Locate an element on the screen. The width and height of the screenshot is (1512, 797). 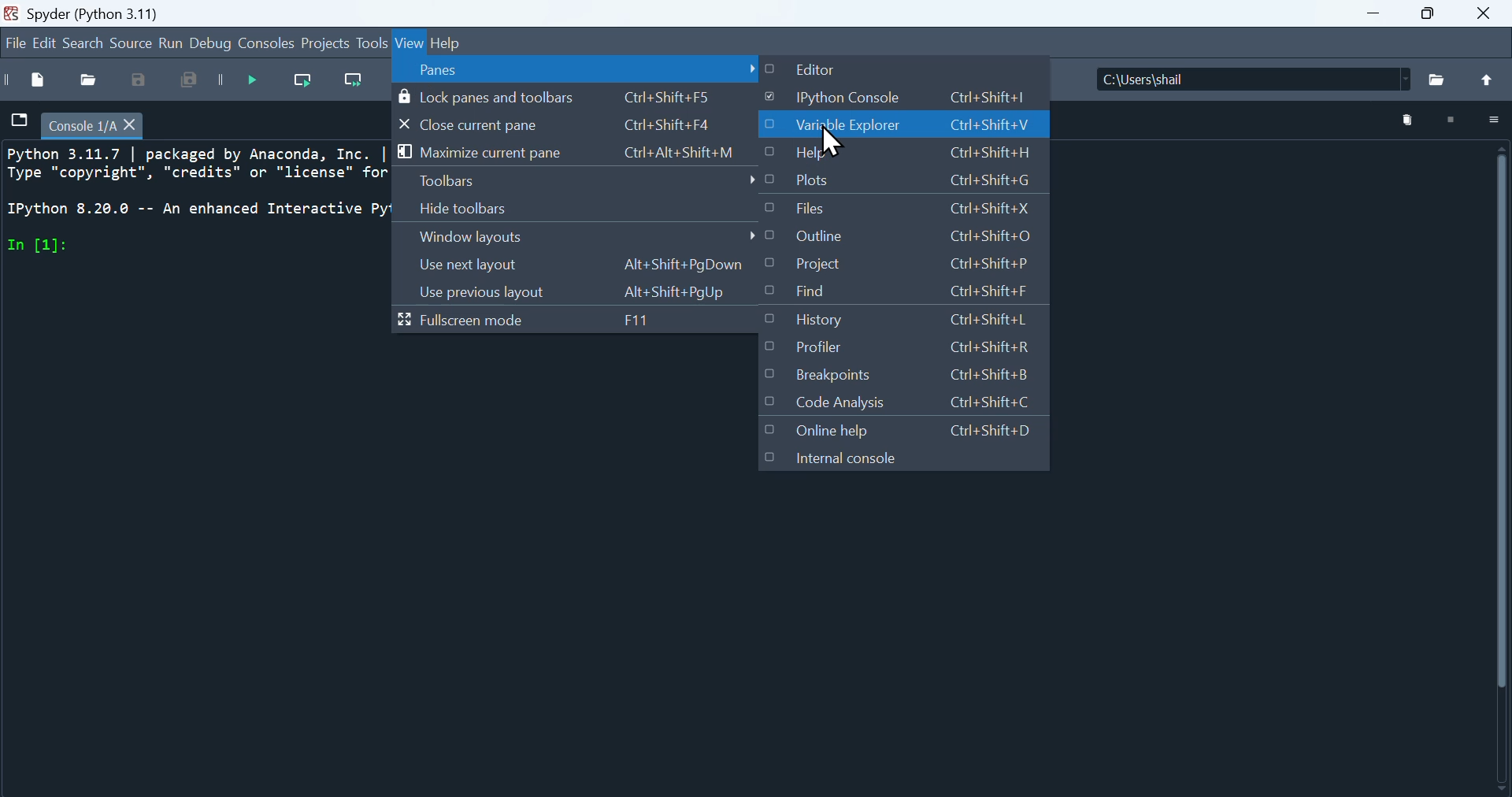
Search is located at coordinates (87, 43).